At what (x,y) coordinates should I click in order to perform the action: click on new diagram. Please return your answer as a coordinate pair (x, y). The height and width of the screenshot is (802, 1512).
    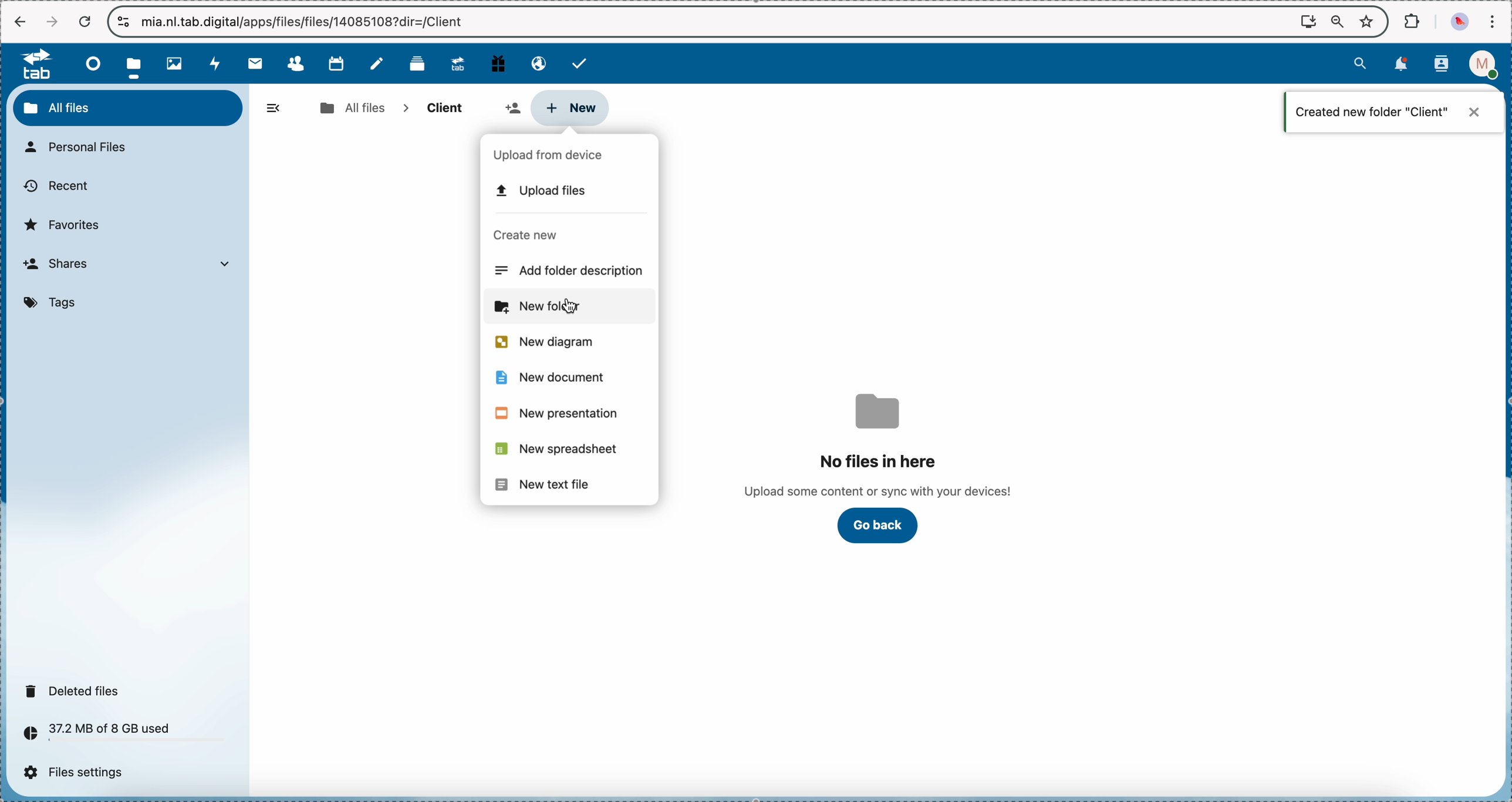
    Looking at the image, I should click on (543, 342).